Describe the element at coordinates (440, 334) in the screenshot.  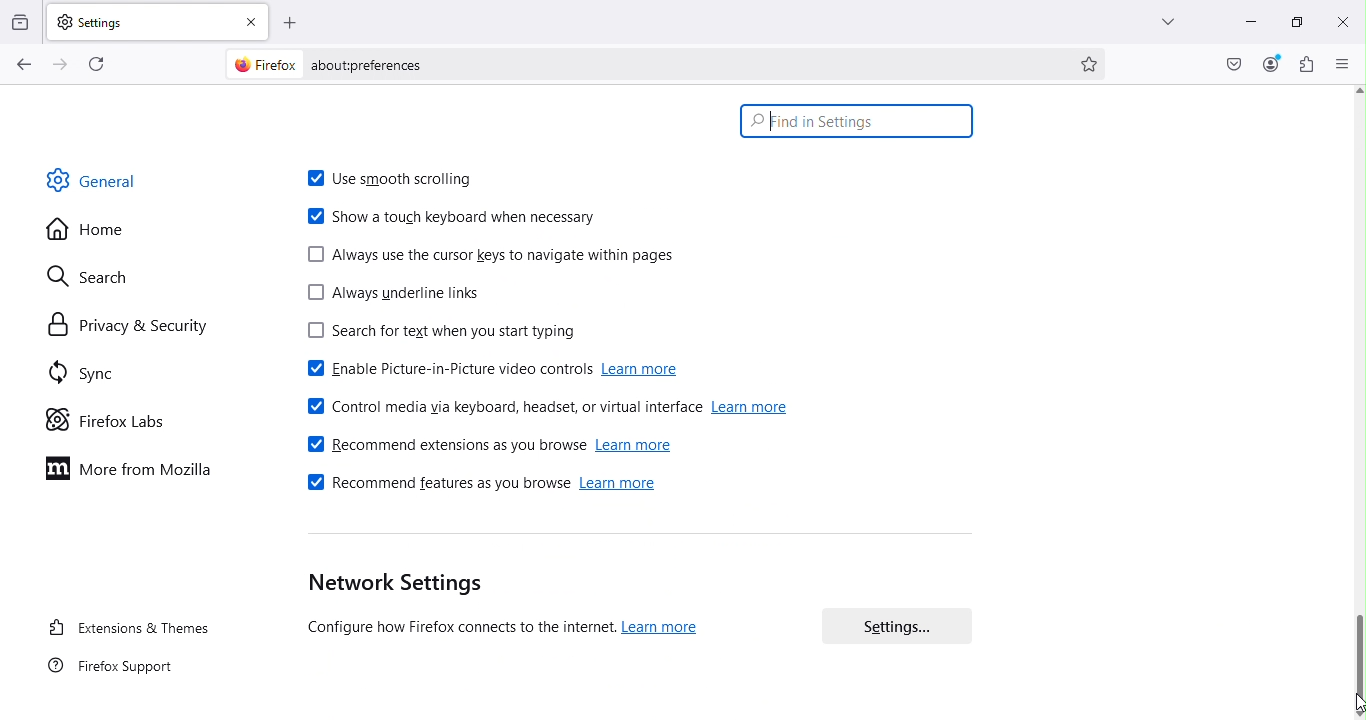
I see `Search for text when you start typing` at that location.